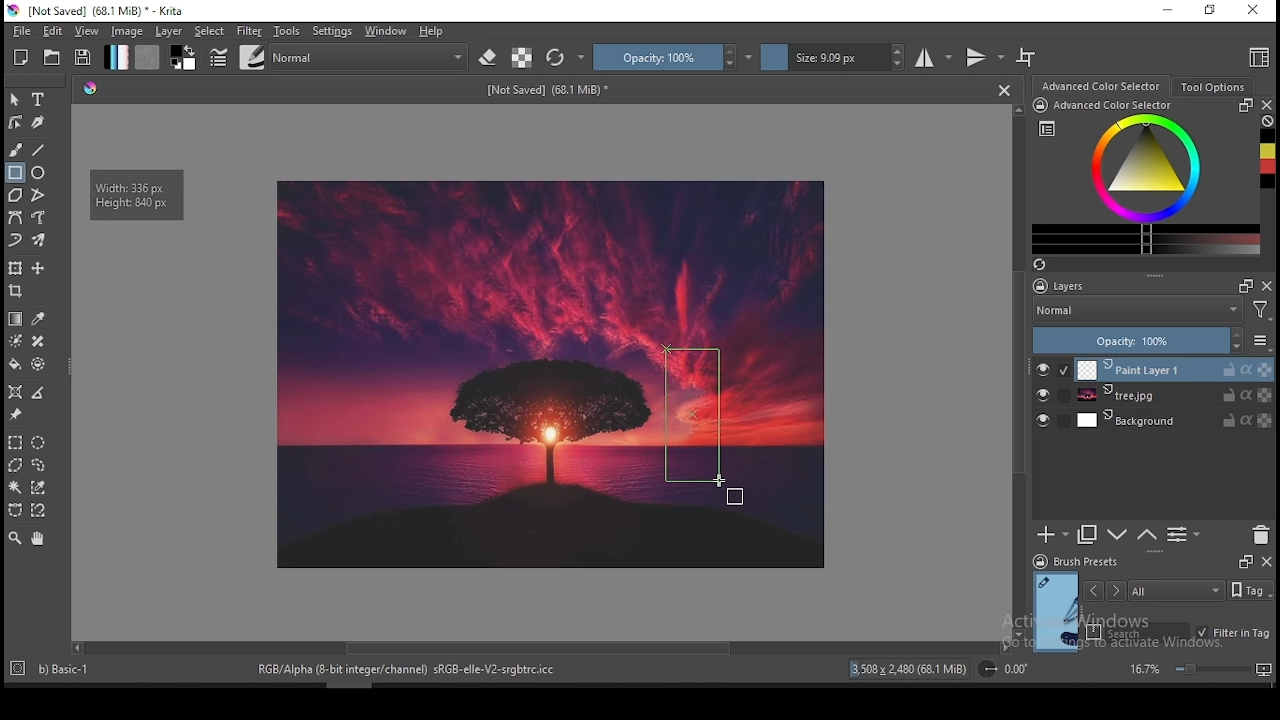 This screenshot has height=720, width=1280. What do you see at coordinates (38, 318) in the screenshot?
I see `pick a color from image and current layer` at bounding box center [38, 318].